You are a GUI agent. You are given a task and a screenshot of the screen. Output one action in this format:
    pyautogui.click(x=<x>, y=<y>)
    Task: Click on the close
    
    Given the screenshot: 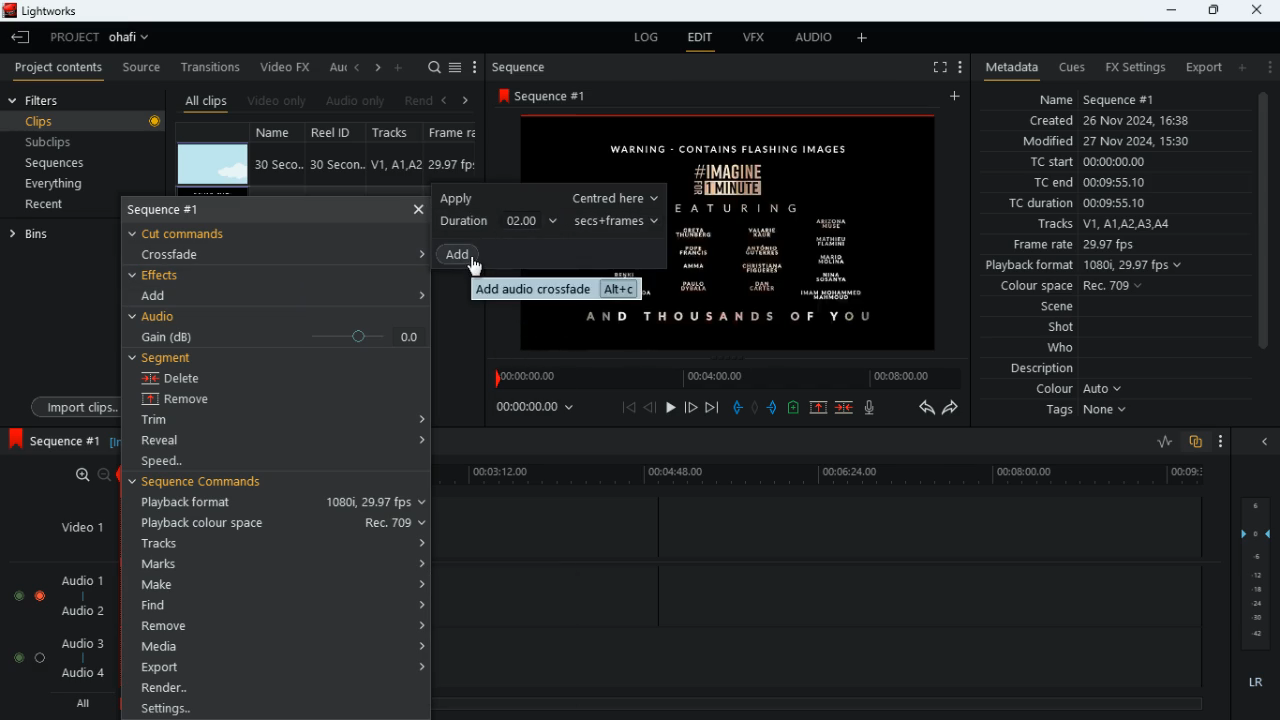 What is the action you would take?
    pyautogui.click(x=1259, y=9)
    